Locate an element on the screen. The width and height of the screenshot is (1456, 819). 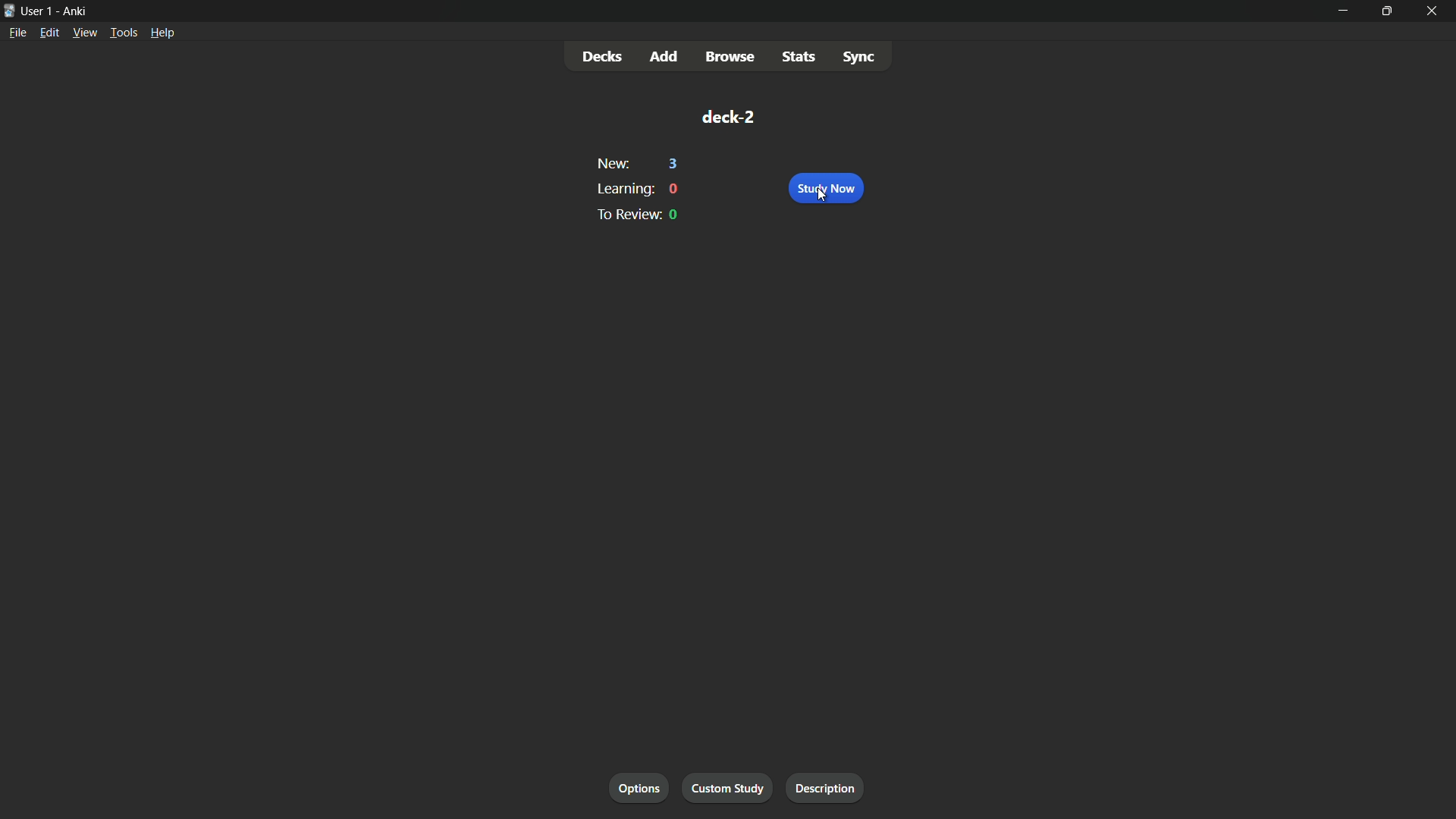
learning is located at coordinates (623, 190).